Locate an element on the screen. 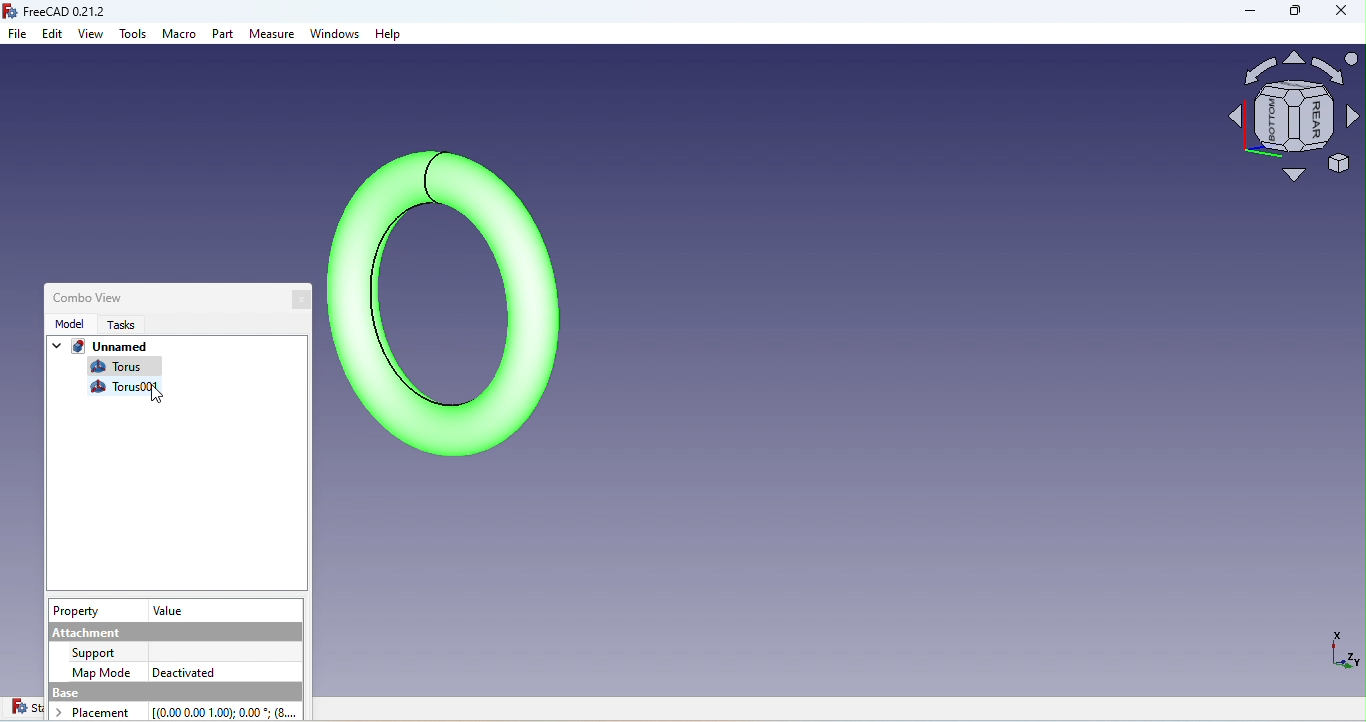 This screenshot has width=1366, height=722. Windows is located at coordinates (336, 36).